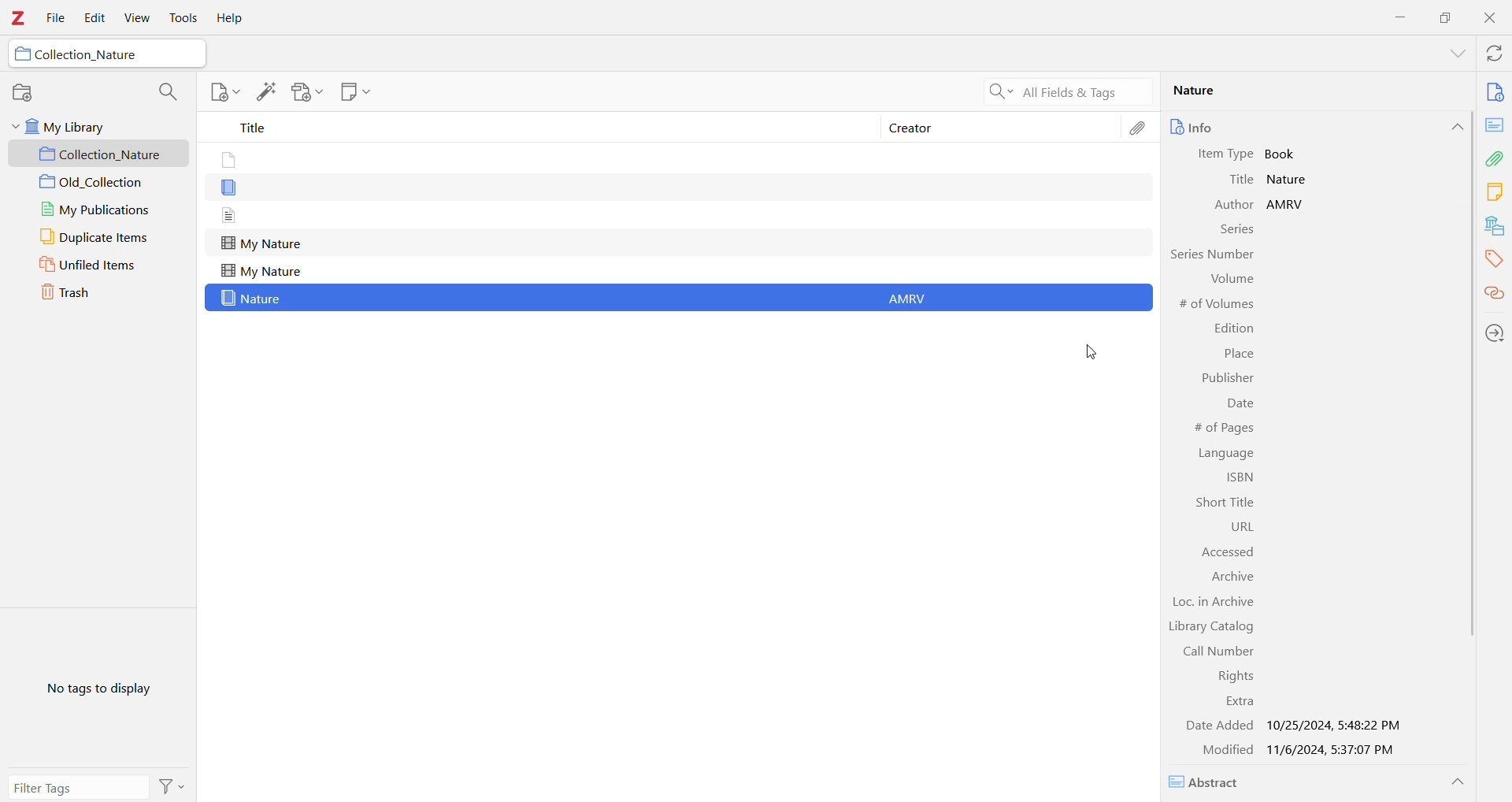 Image resolution: width=1512 pixels, height=802 pixels. What do you see at coordinates (1233, 577) in the screenshot?
I see `Archive` at bounding box center [1233, 577].